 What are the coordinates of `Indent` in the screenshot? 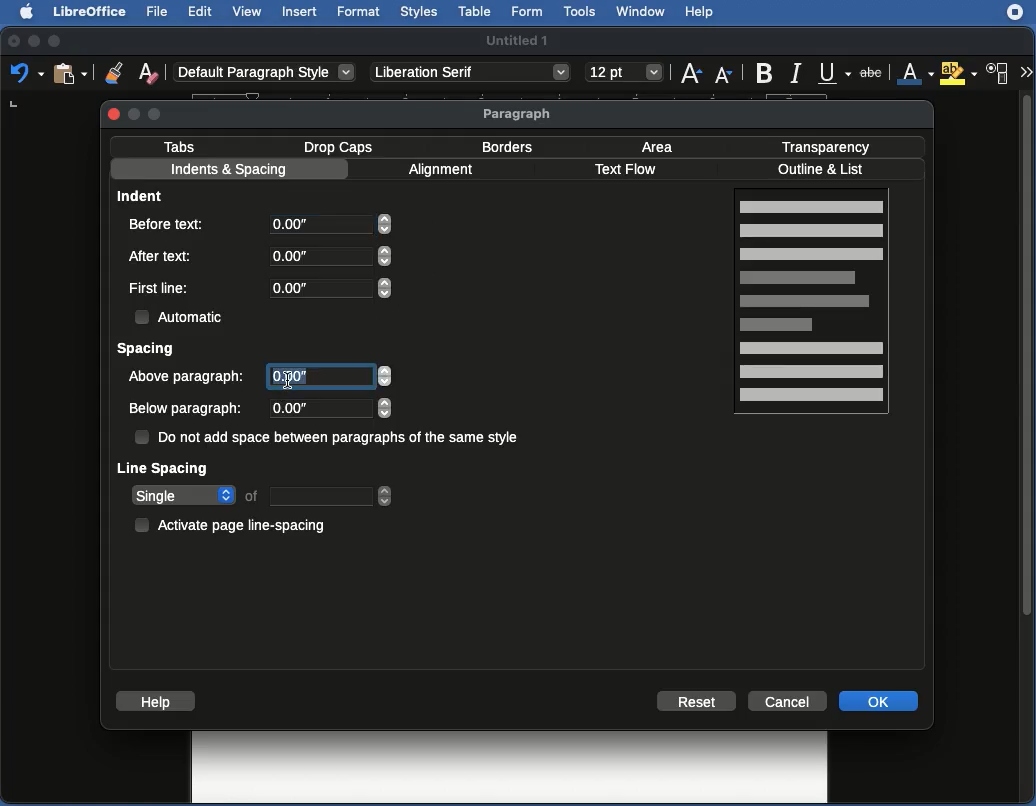 It's located at (143, 195).